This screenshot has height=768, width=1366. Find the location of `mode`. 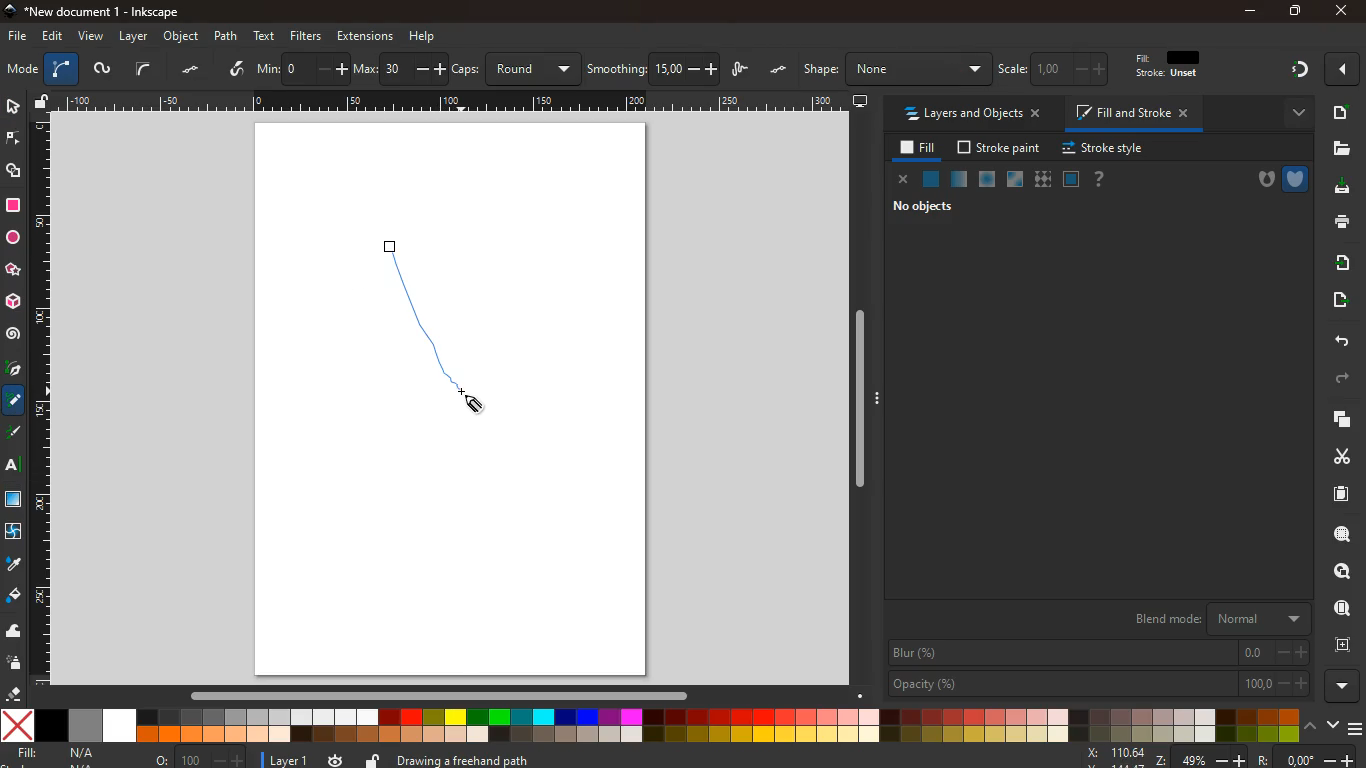

mode is located at coordinates (22, 71).